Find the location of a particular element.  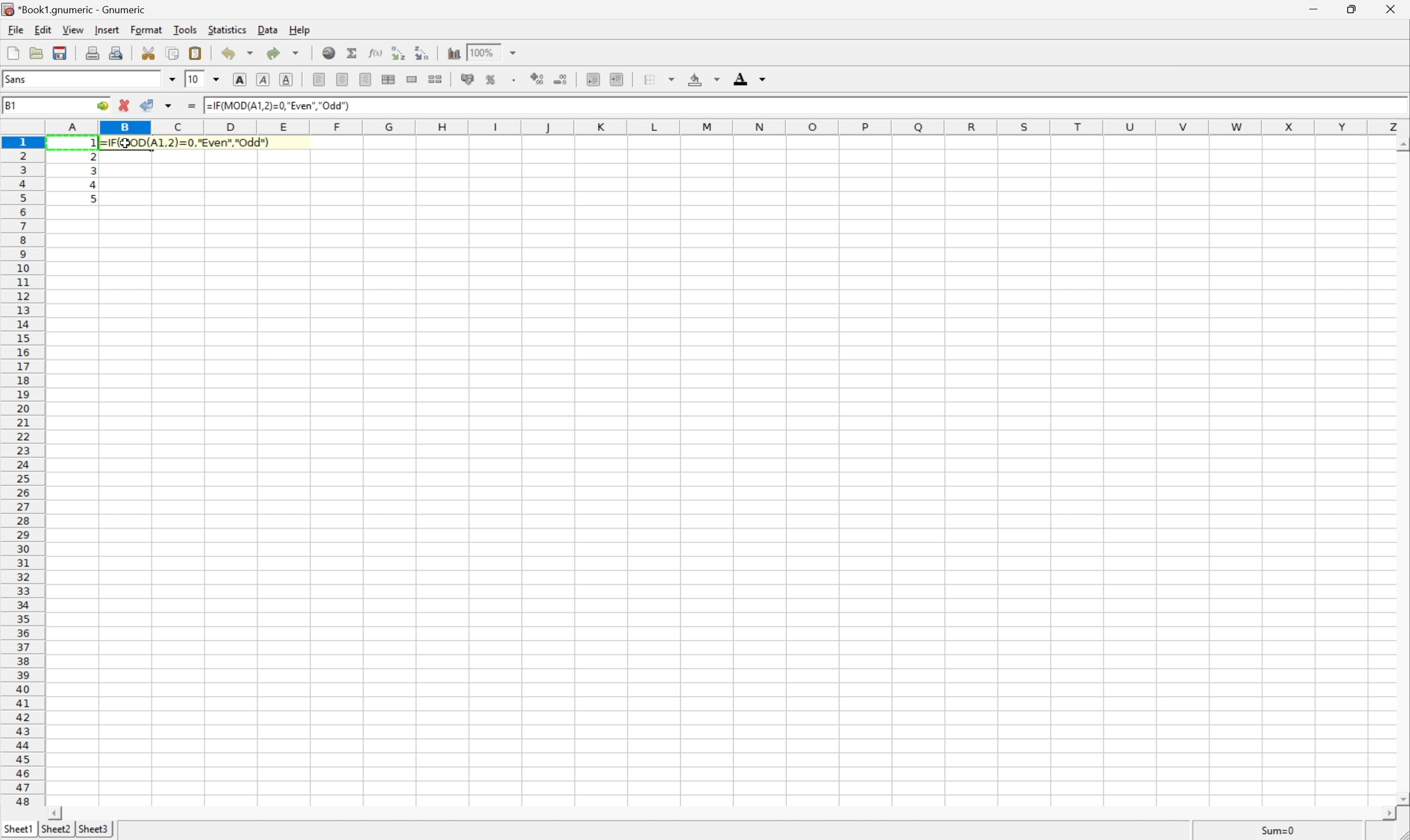

Align Right is located at coordinates (366, 79).